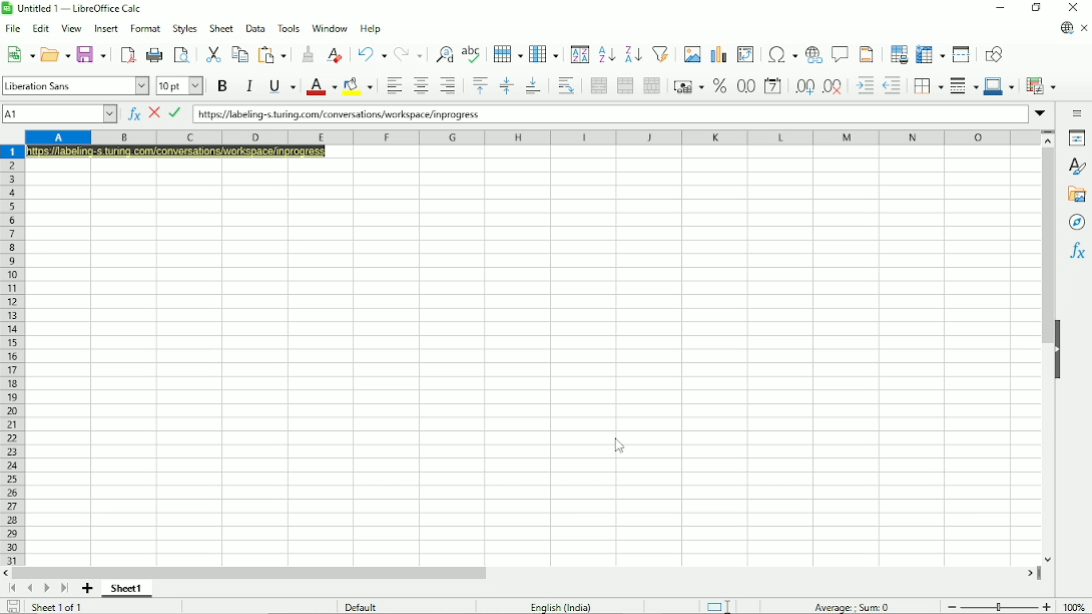  I want to click on Align right, so click(447, 85).